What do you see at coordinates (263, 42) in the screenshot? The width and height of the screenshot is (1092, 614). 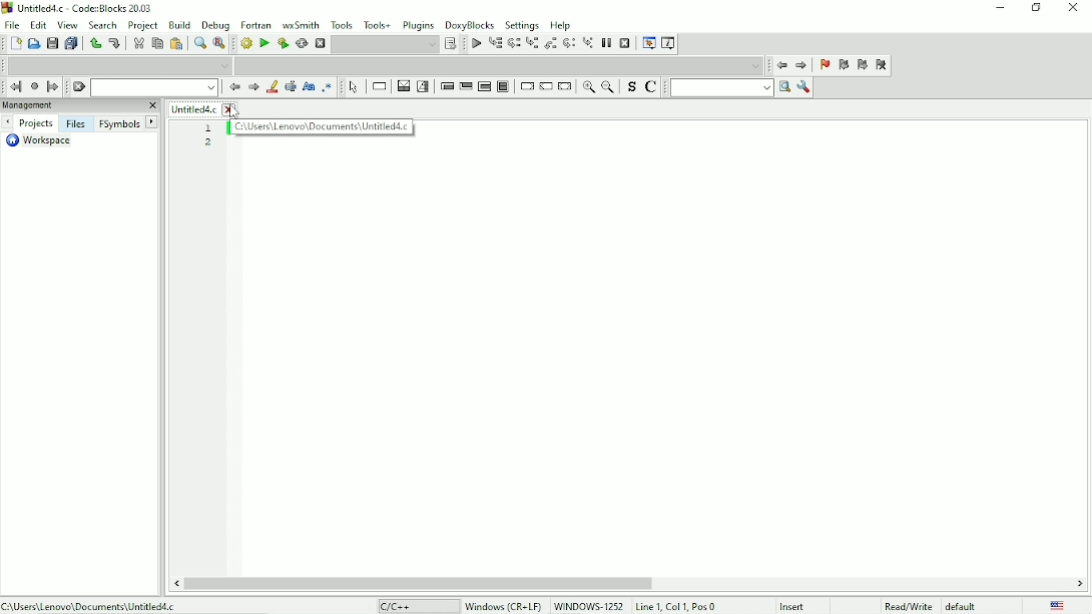 I see `Run` at bounding box center [263, 42].